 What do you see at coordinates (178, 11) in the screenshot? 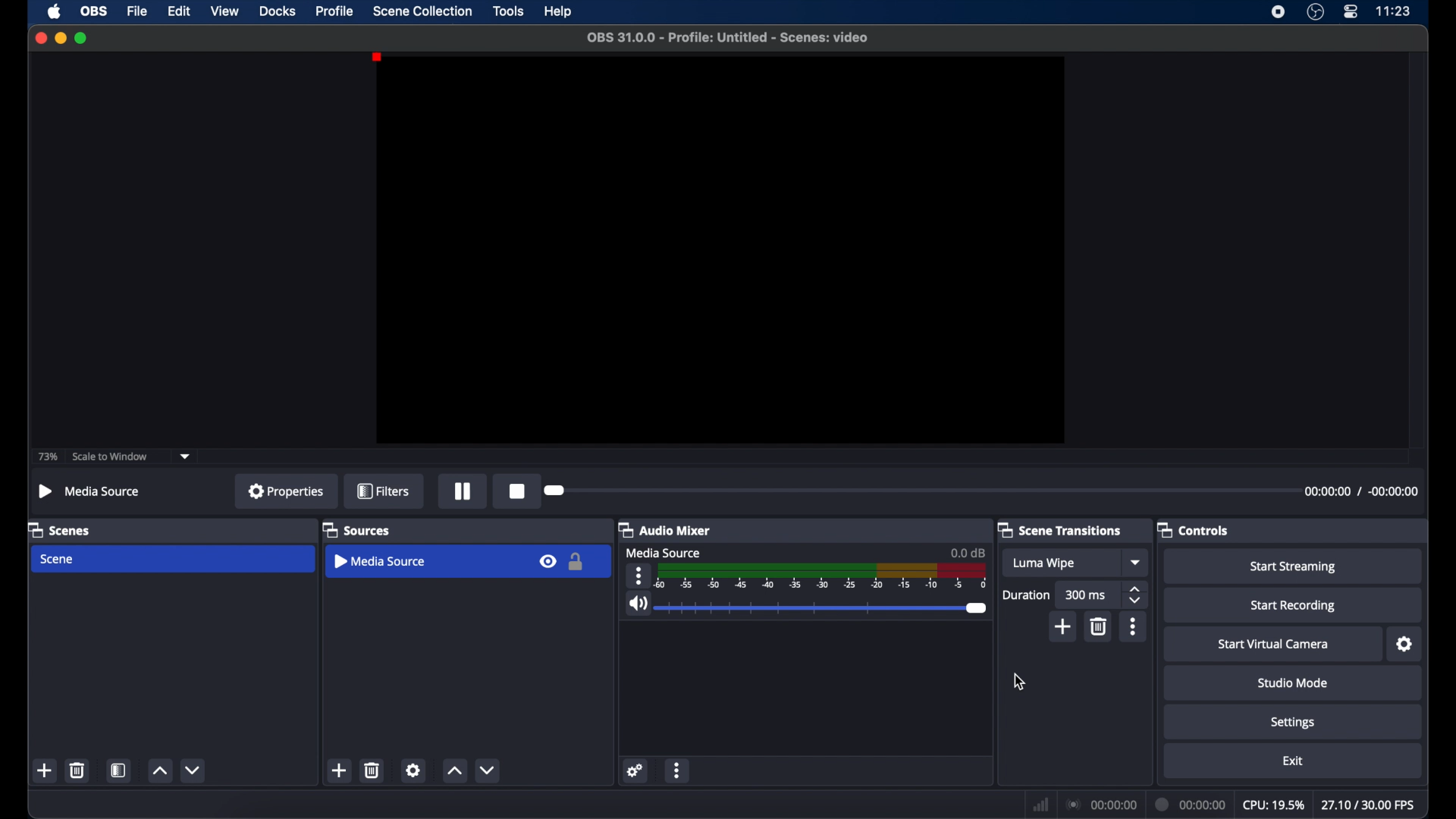
I see `edit` at bounding box center [178, 11].